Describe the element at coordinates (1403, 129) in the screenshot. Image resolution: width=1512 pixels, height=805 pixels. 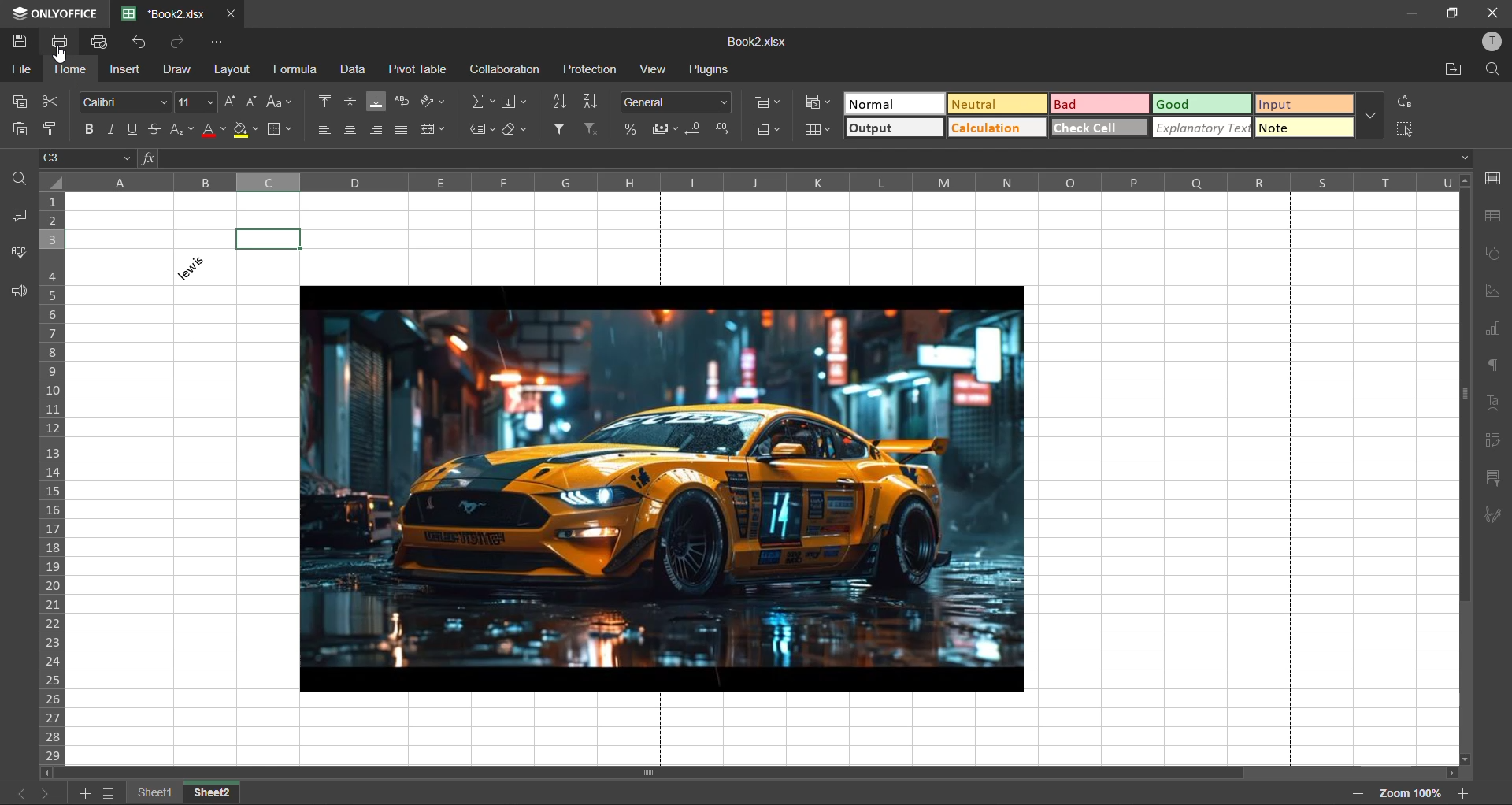
I see `select all` at that location.